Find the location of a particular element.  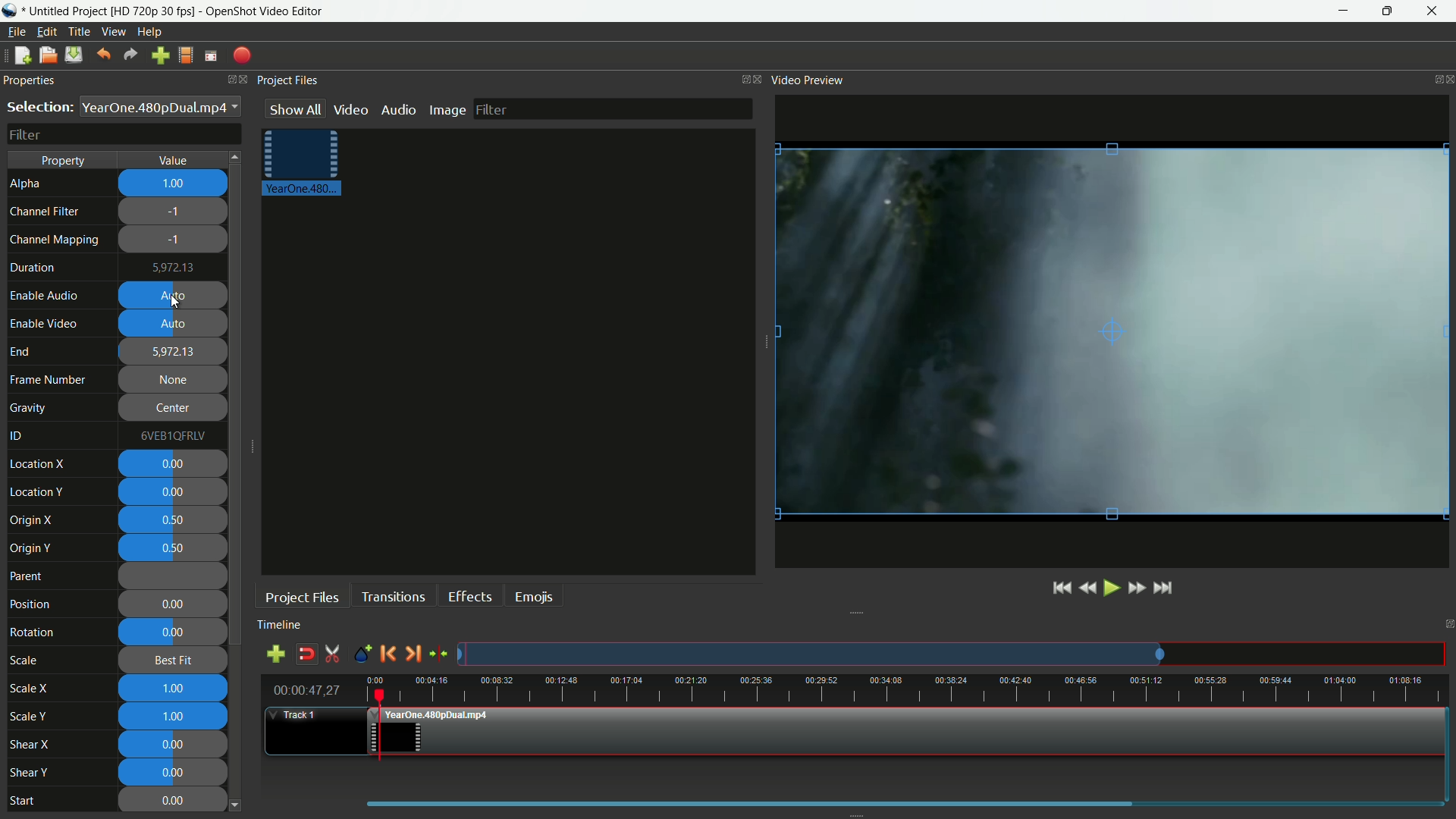

filter bar is located at coordinates (124, 134).